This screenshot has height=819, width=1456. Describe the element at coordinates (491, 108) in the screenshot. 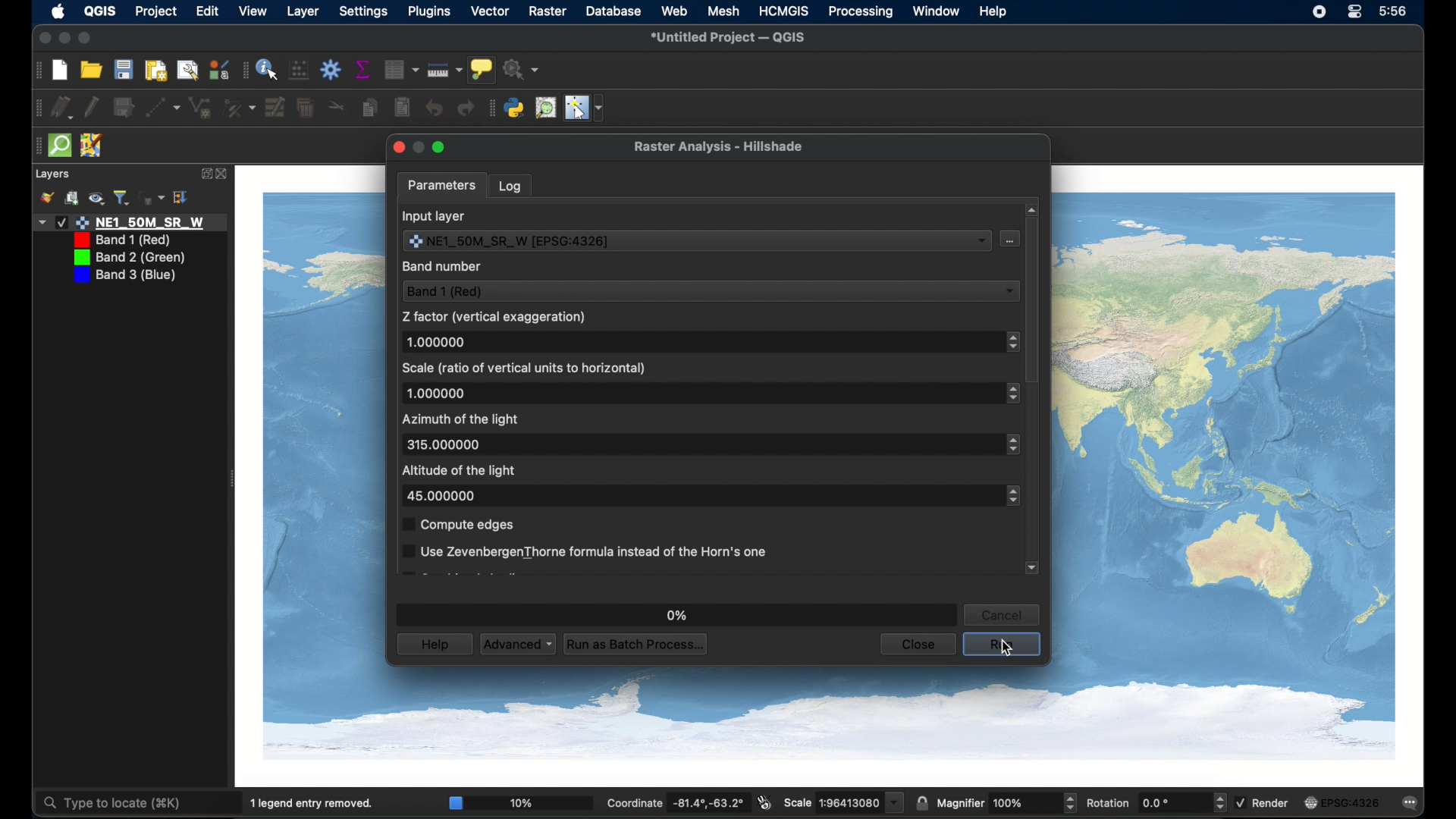

I see `drag handle` at that location.